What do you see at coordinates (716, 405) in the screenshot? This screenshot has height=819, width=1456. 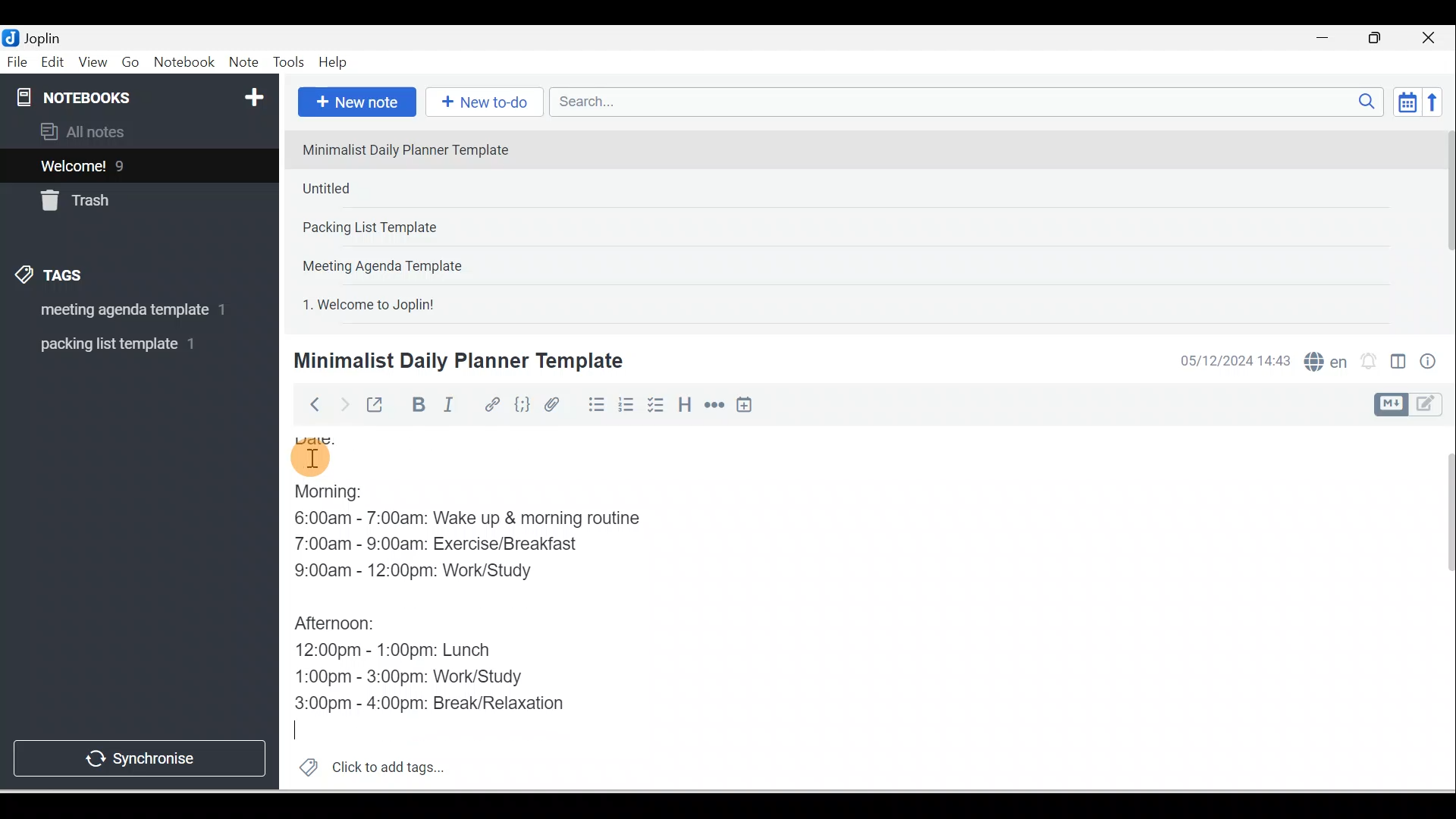 I see `Horizontal rule` at bounding box center [716, 405].